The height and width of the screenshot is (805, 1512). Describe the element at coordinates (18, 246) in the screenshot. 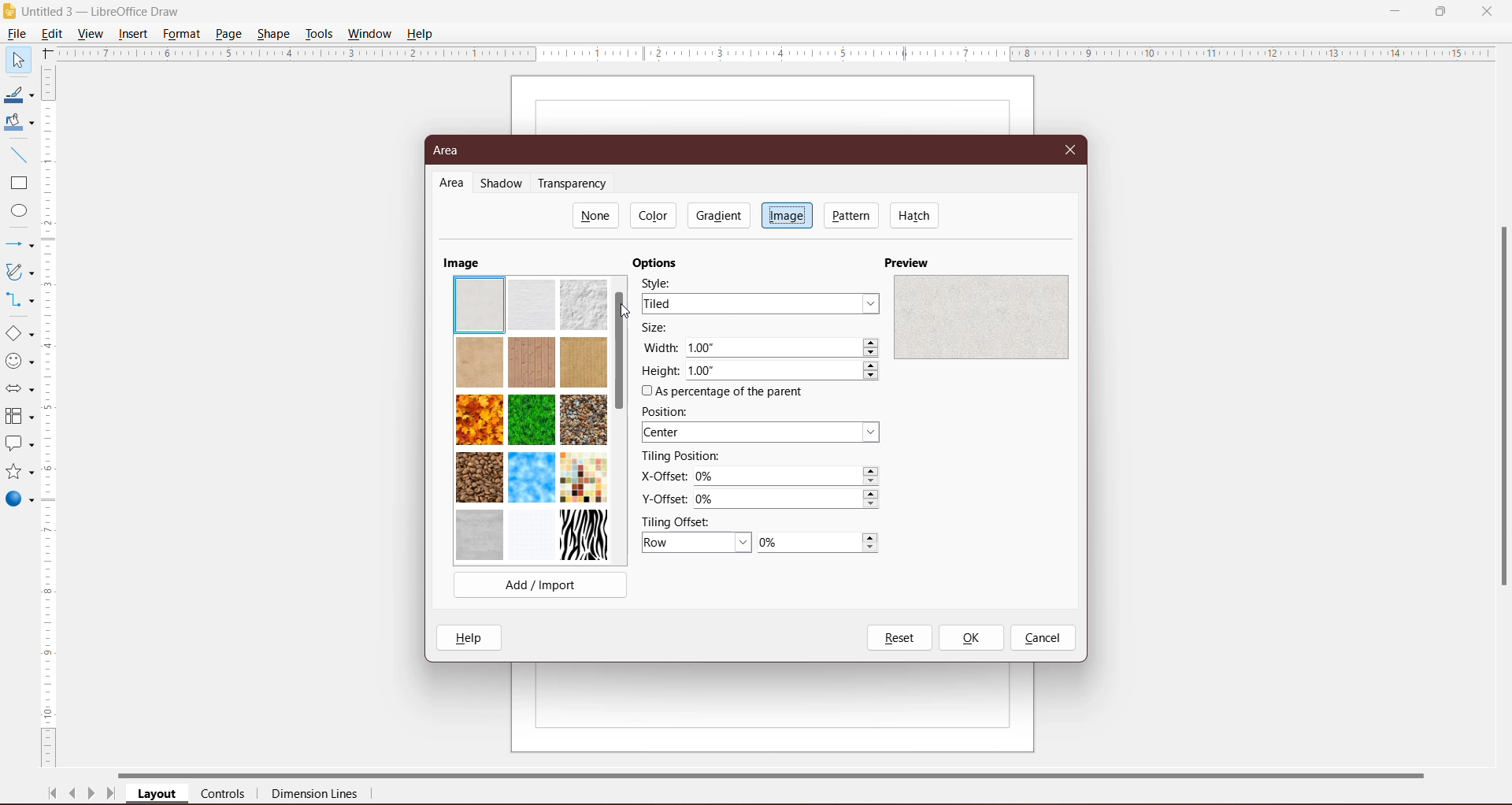

I see `Lines and Arrows` at that location.